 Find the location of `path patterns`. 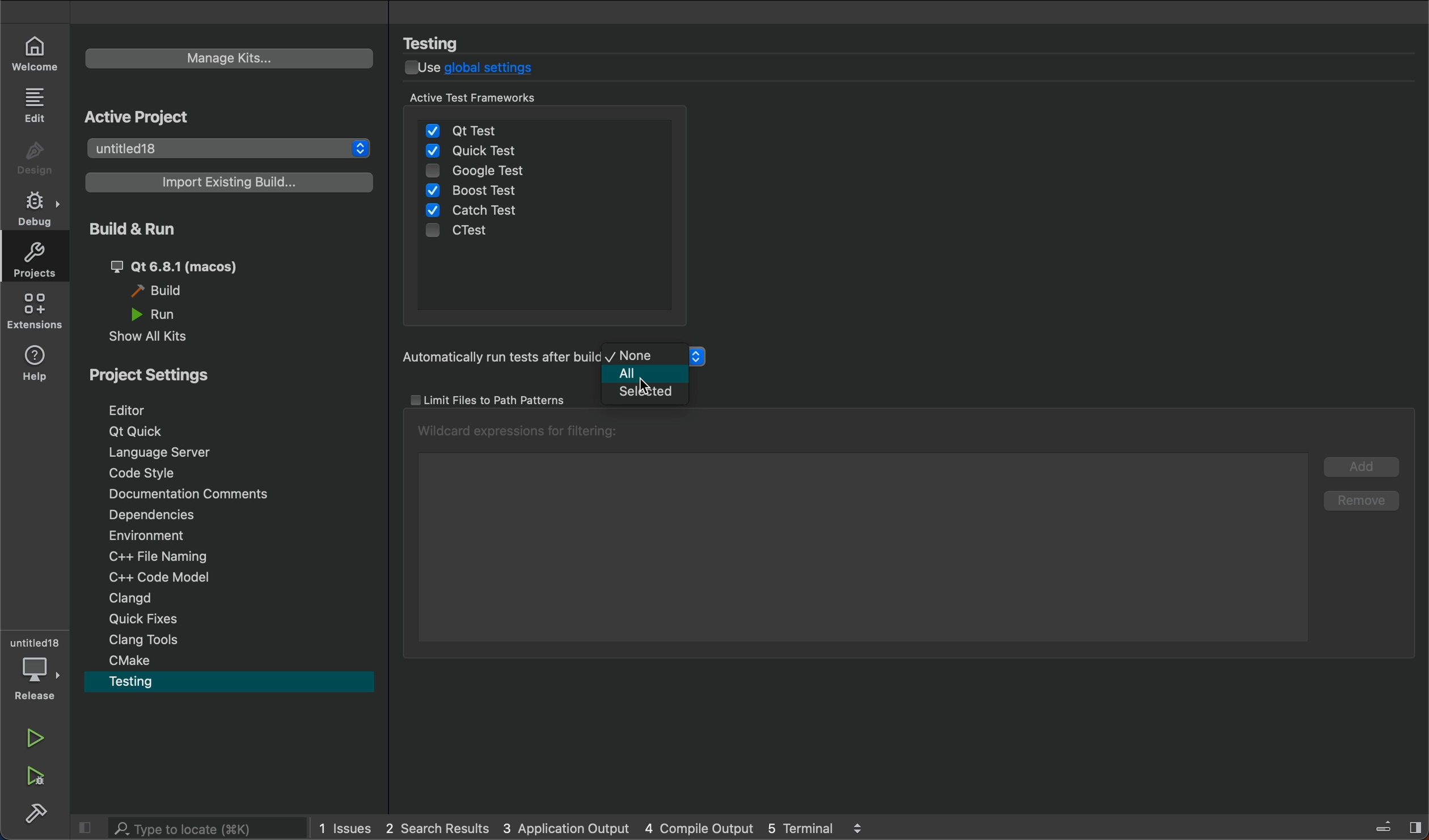

path patterns is located at coordinates (494, 400).